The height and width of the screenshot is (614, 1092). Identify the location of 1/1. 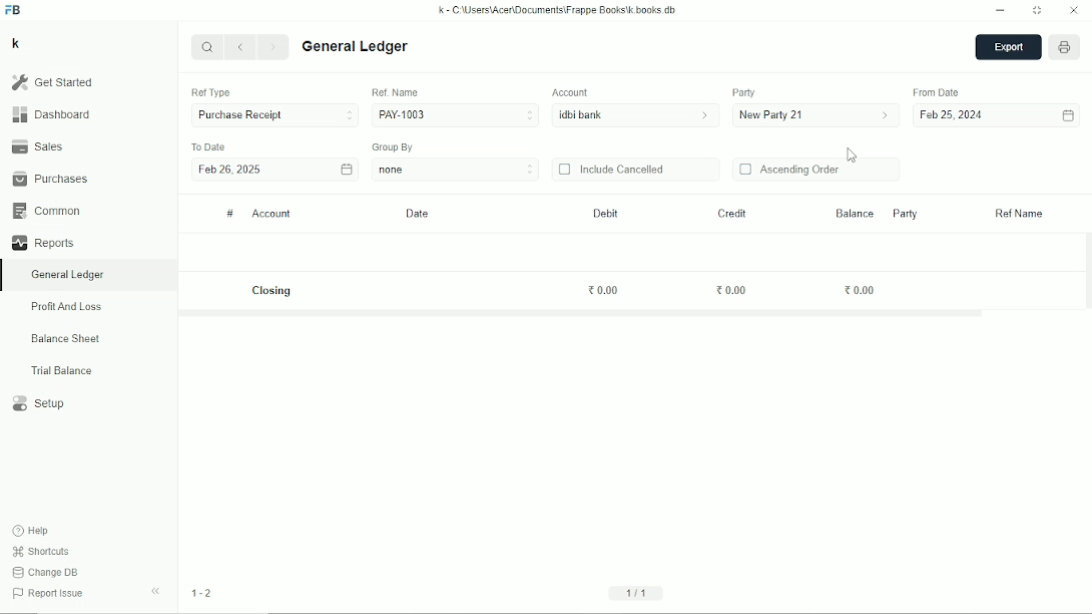
(639, 592).